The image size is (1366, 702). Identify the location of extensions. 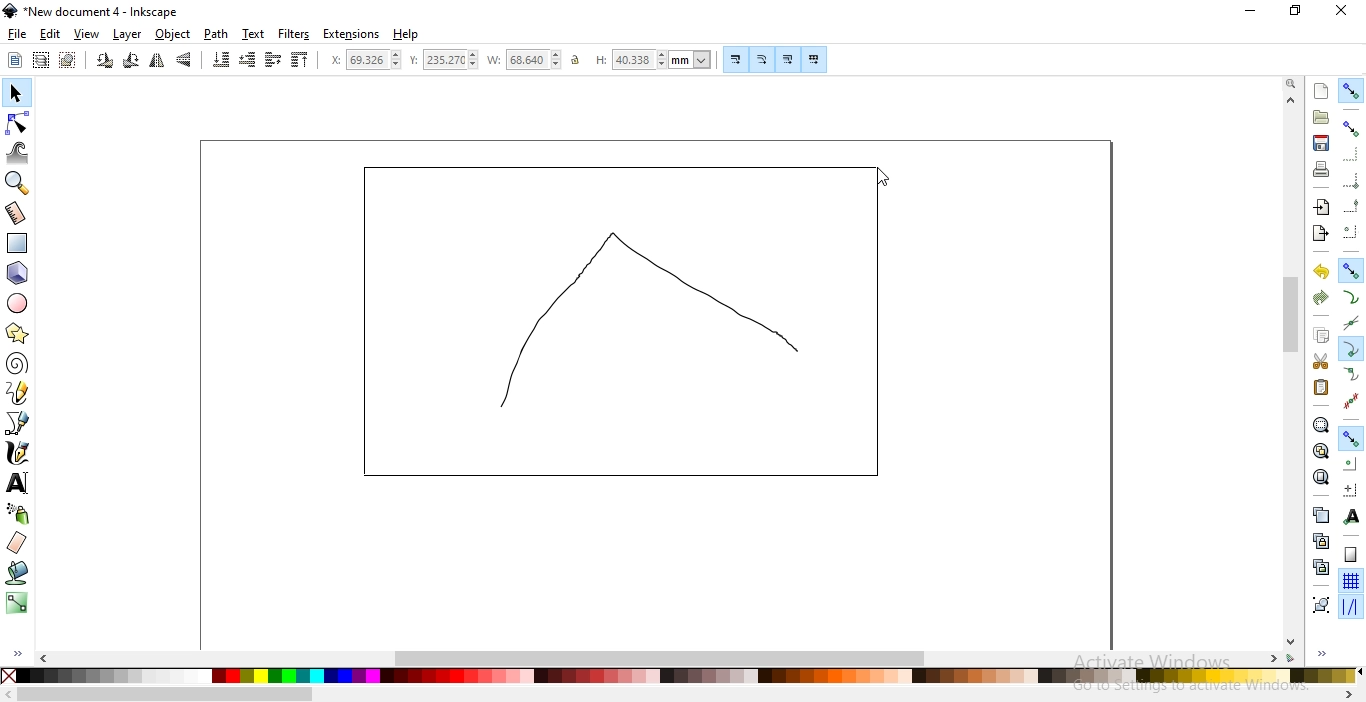
(351, 35).